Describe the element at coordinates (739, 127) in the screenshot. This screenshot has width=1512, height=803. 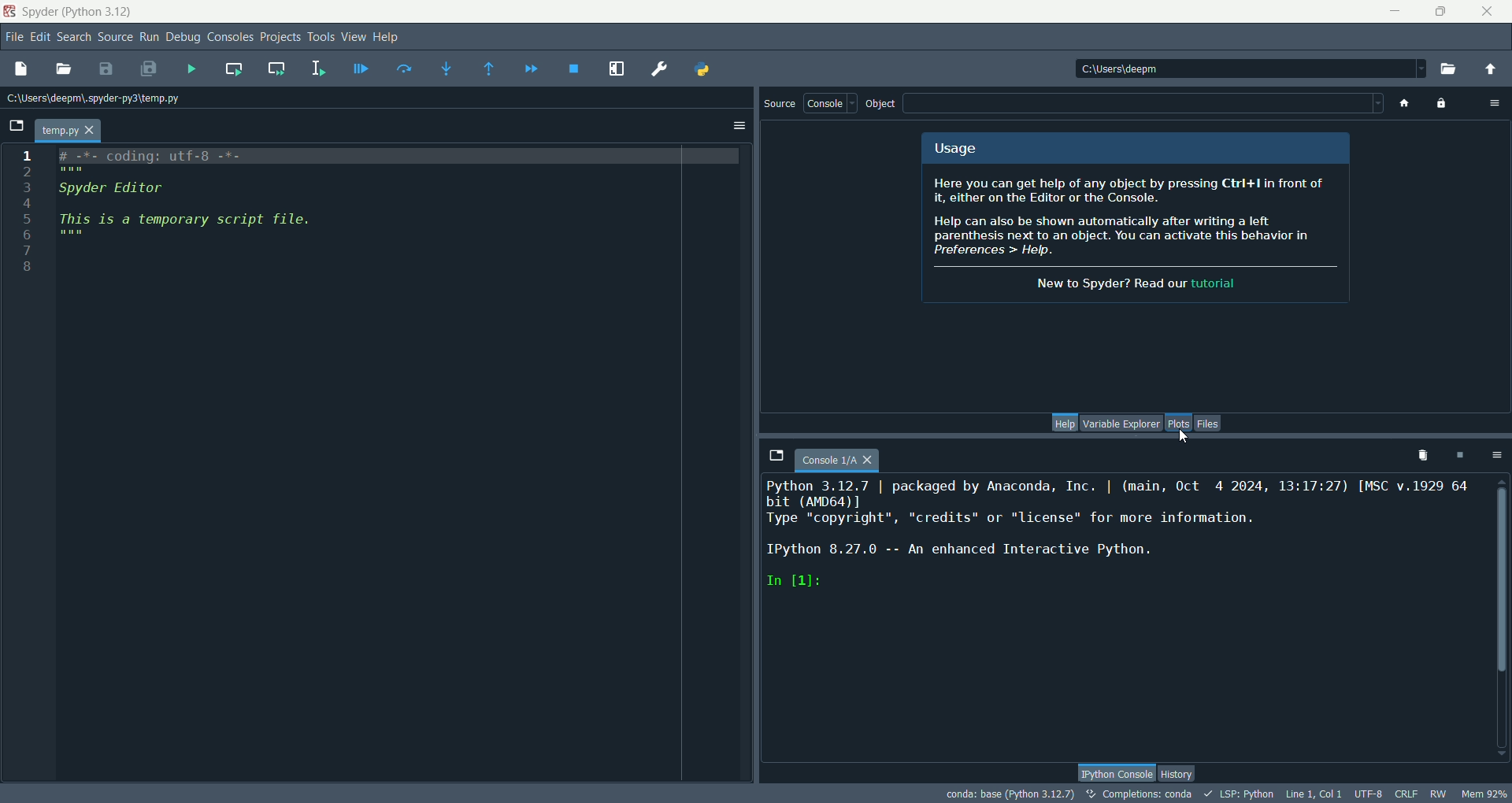
I see `options` at that location.